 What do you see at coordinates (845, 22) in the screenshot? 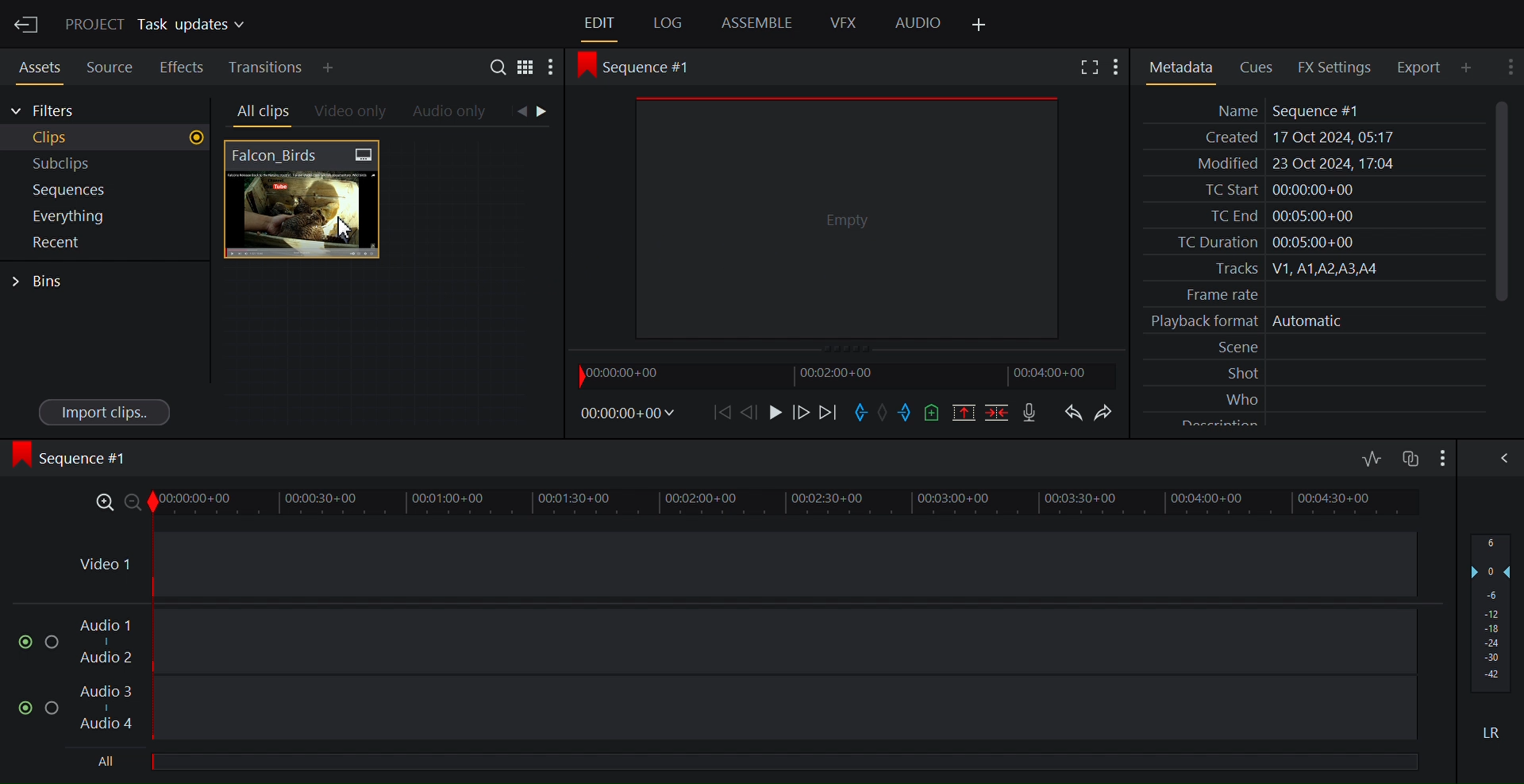
I see `VFX` at bounding box center [845, 22].